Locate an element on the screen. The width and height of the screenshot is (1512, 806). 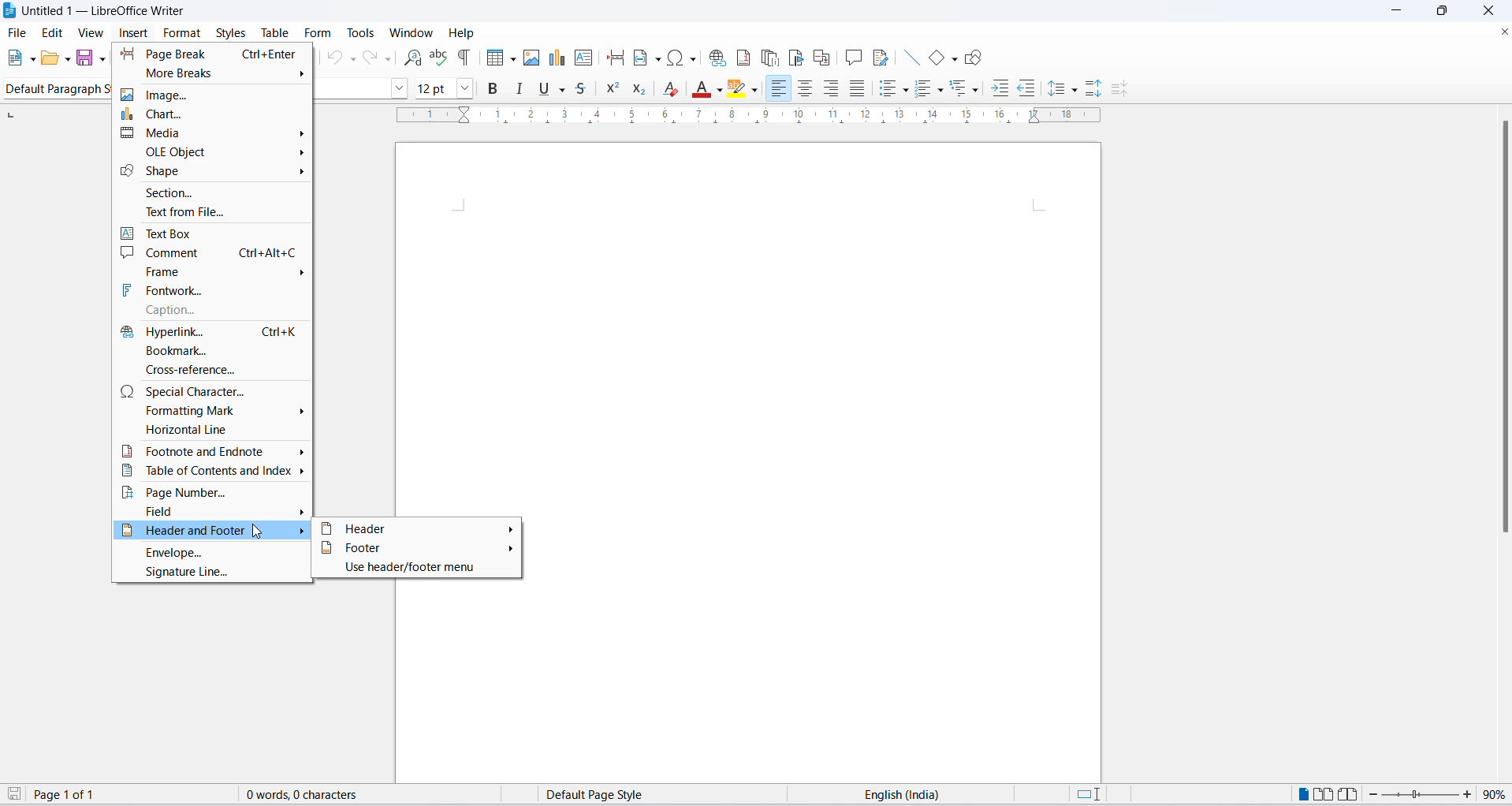
draw shapes tool is located at coordinates (976, 58).